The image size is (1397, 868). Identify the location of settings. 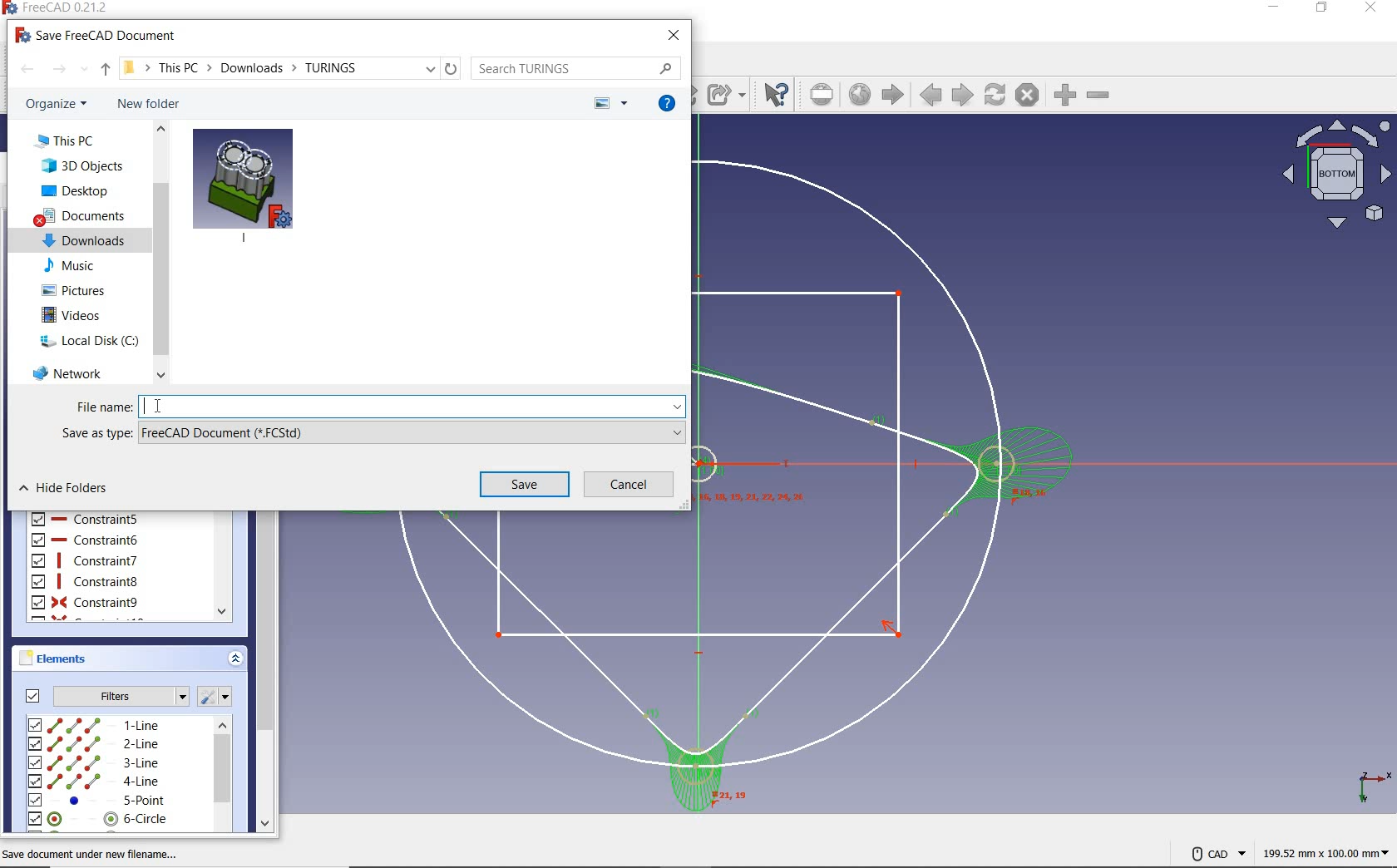
(219, 696).